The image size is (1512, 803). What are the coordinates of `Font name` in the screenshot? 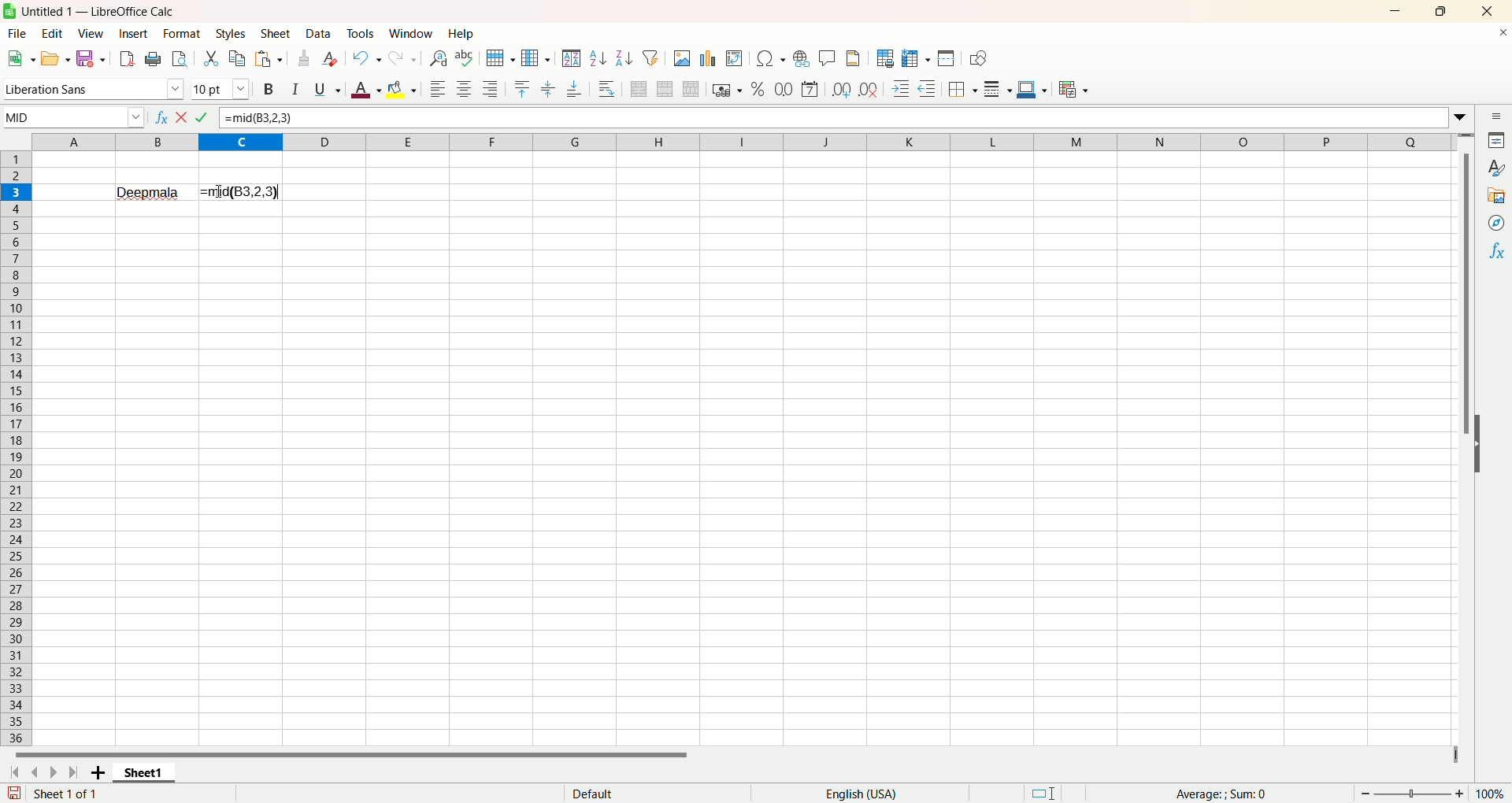 It's located at (95, 88).